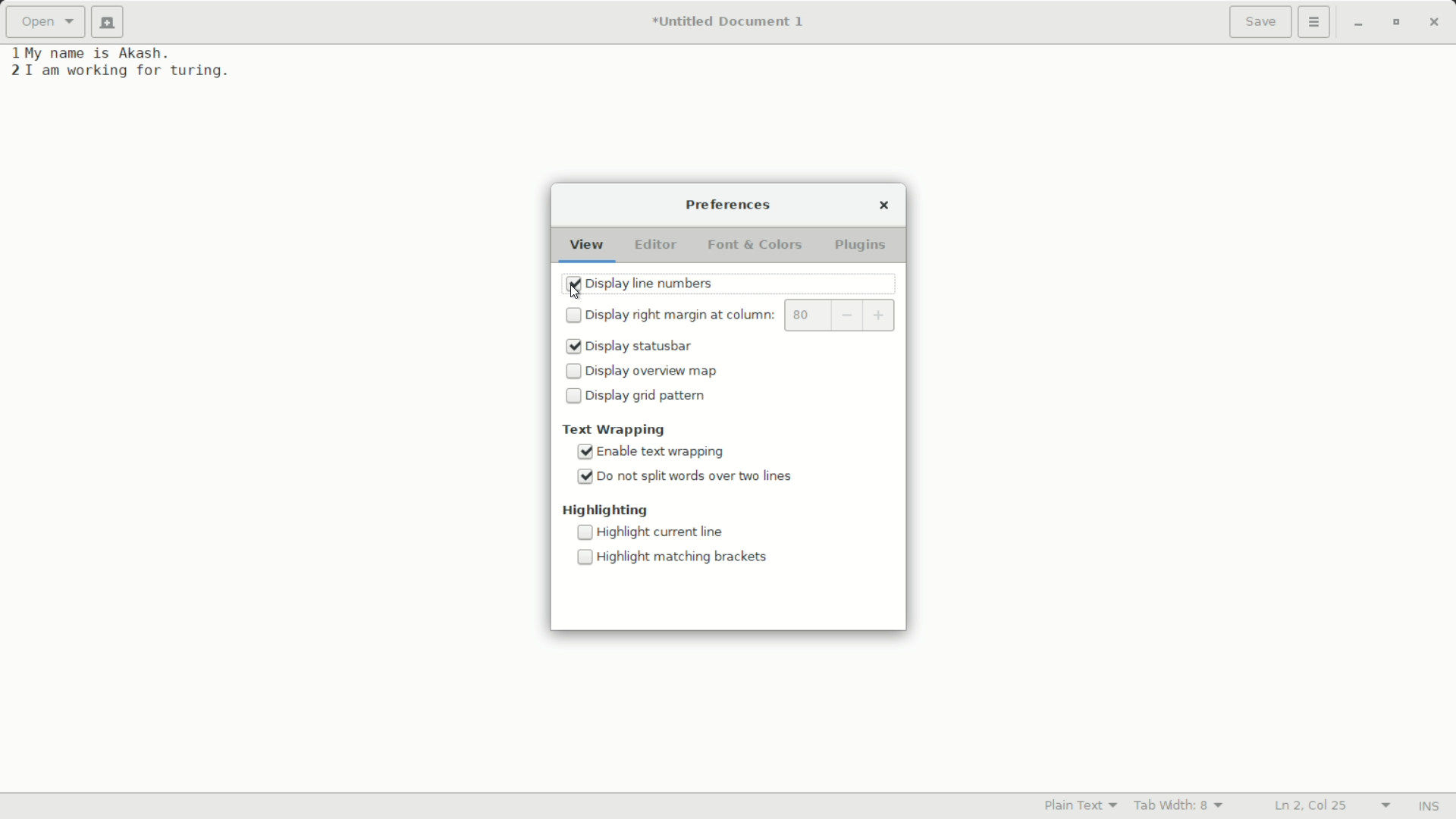 This screenshot has height=819, width=1456. I want to click on preferences, so click(730, 206).